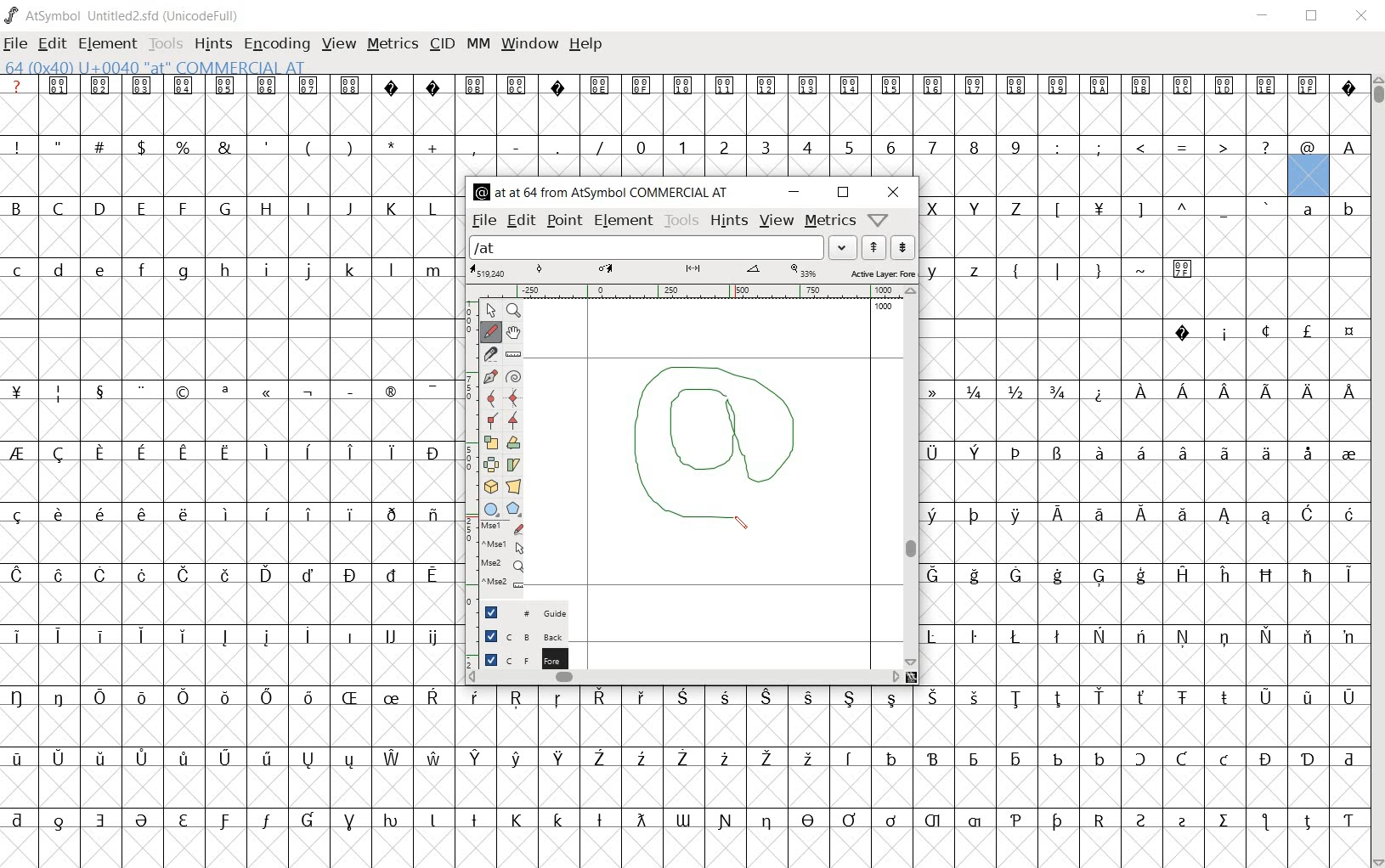 Image resolution: width=1385 pixels, height=868 pixels. What do you see at coordinates (53, 44) in the screenshot?
I see `EDIT` at bounding box center [53, 44].